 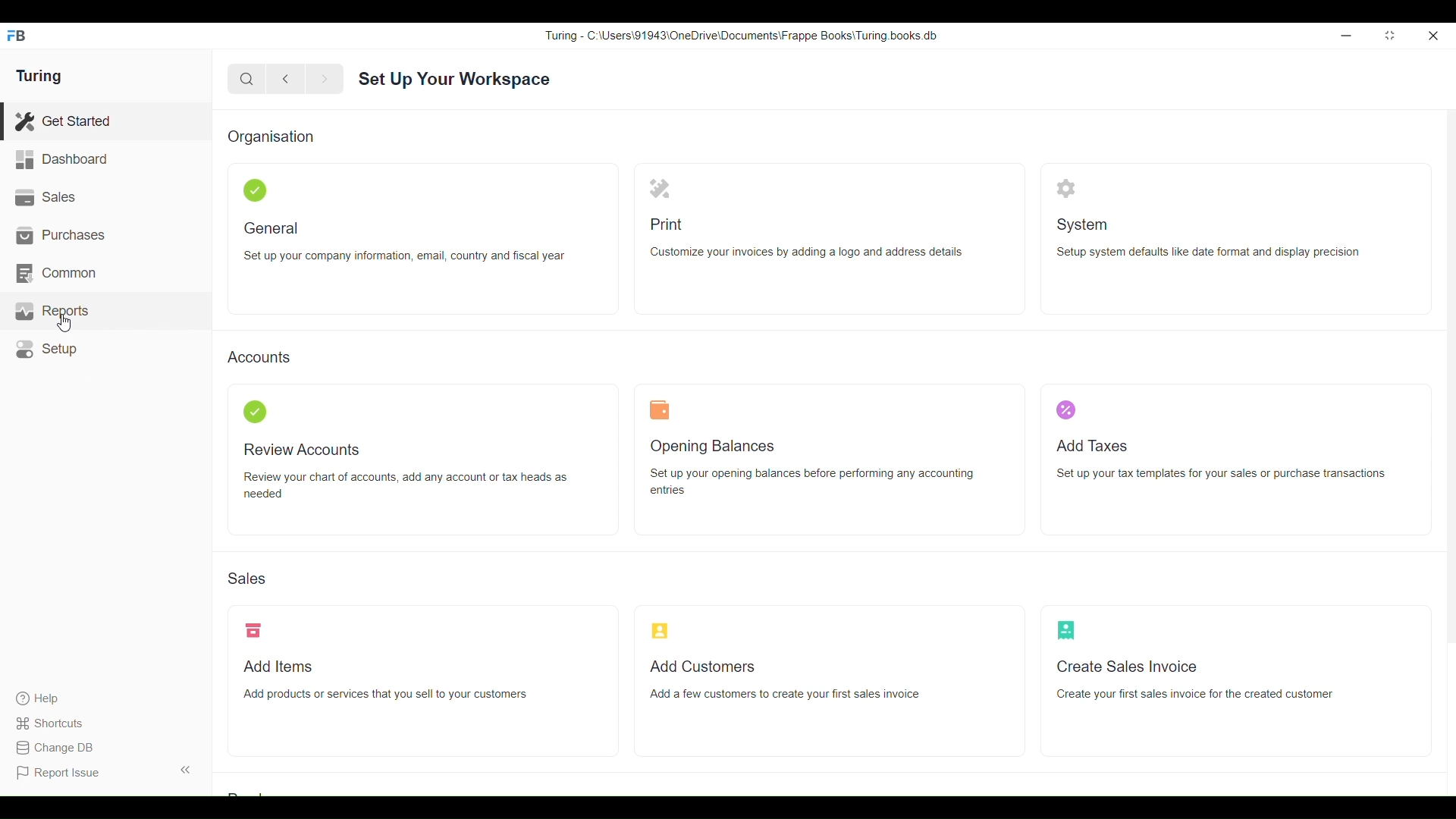 What do you see at coordinates (1067, 189) in the screenshot?
I see `System icon` at bounding box center [1067, 189].